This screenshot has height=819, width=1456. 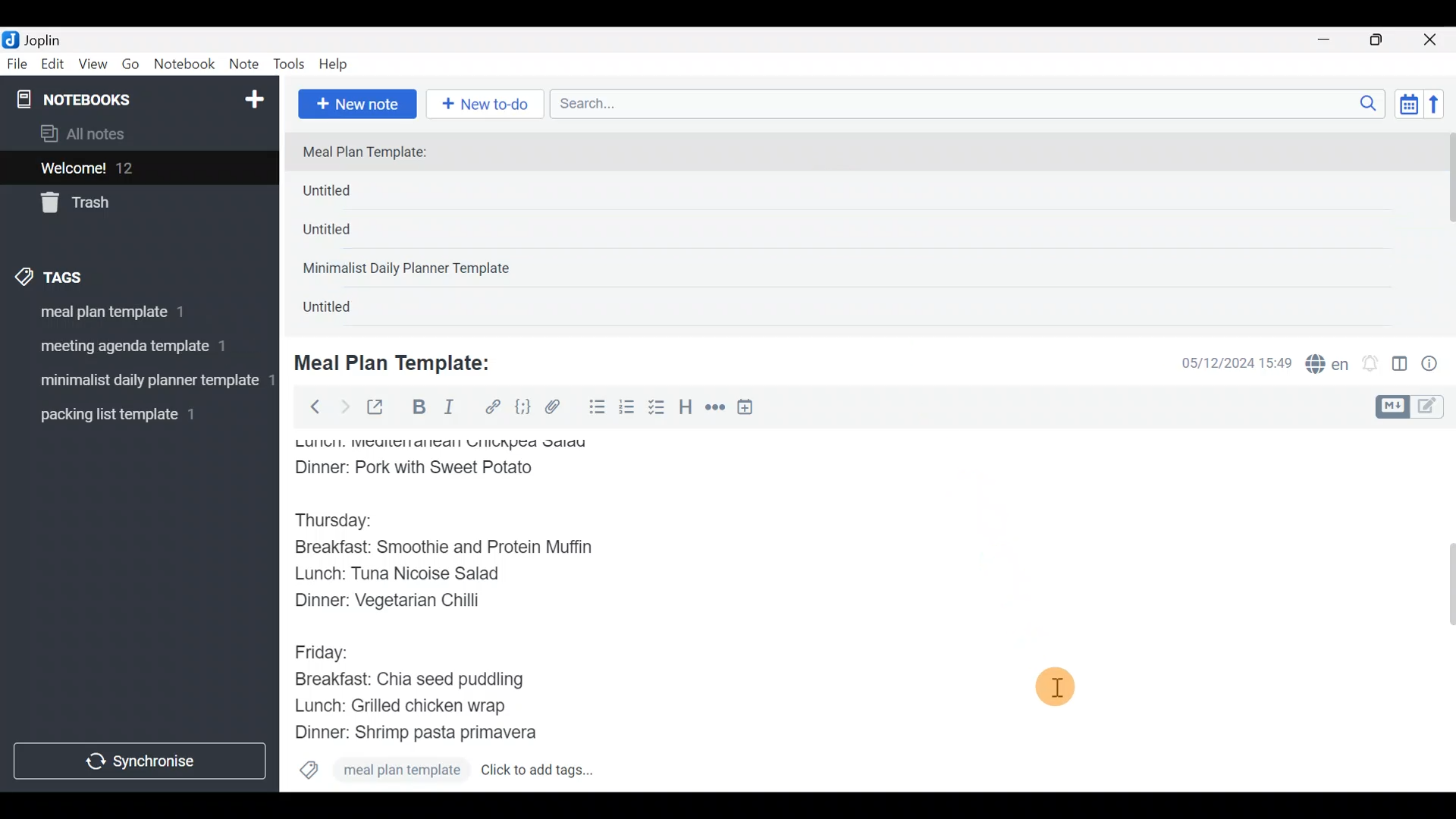 I want to click on Notebooks, so click(x=107, y=99).